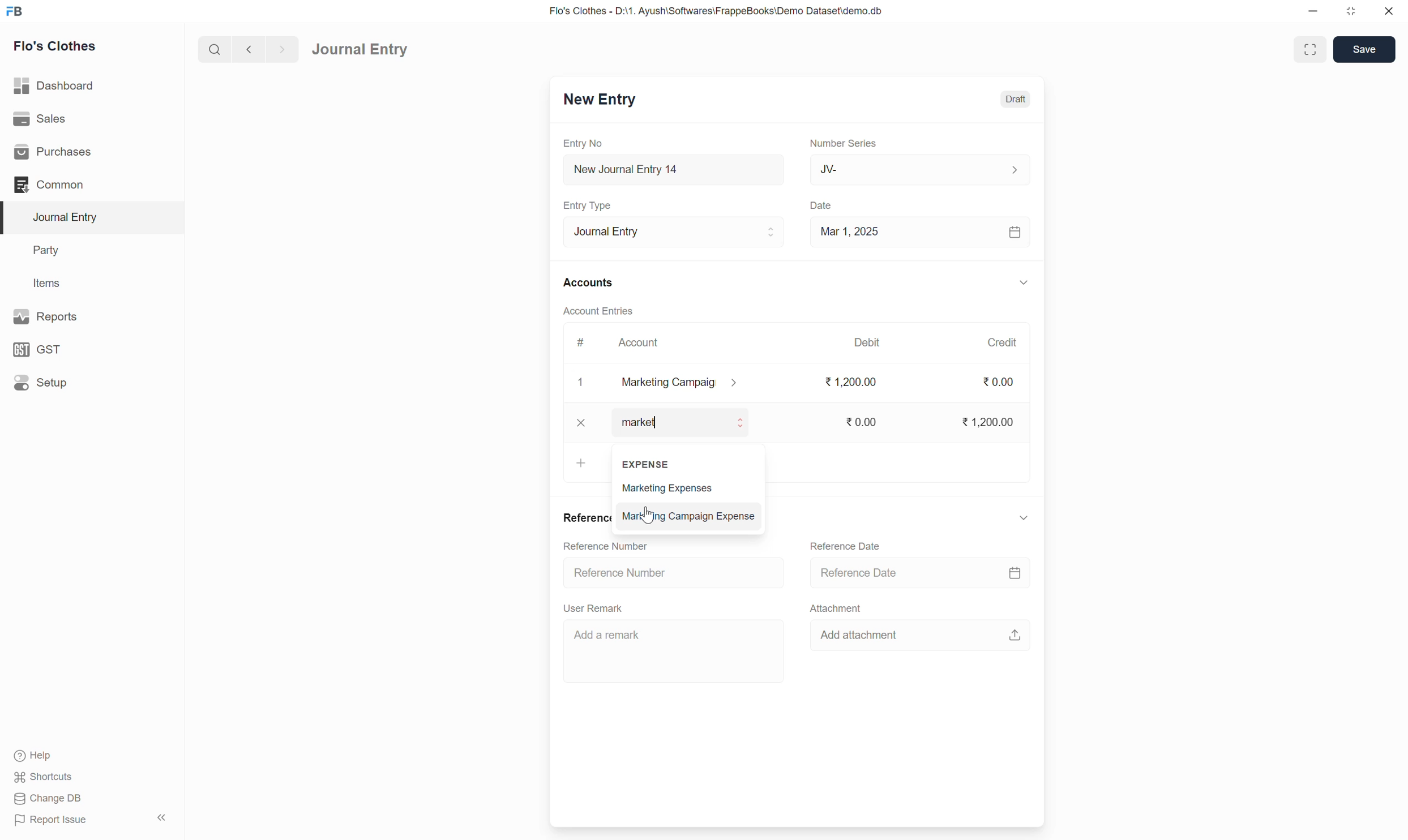  Describe the element at coordinates (921, 169) in the screenshot. I see `JV-` at that location.